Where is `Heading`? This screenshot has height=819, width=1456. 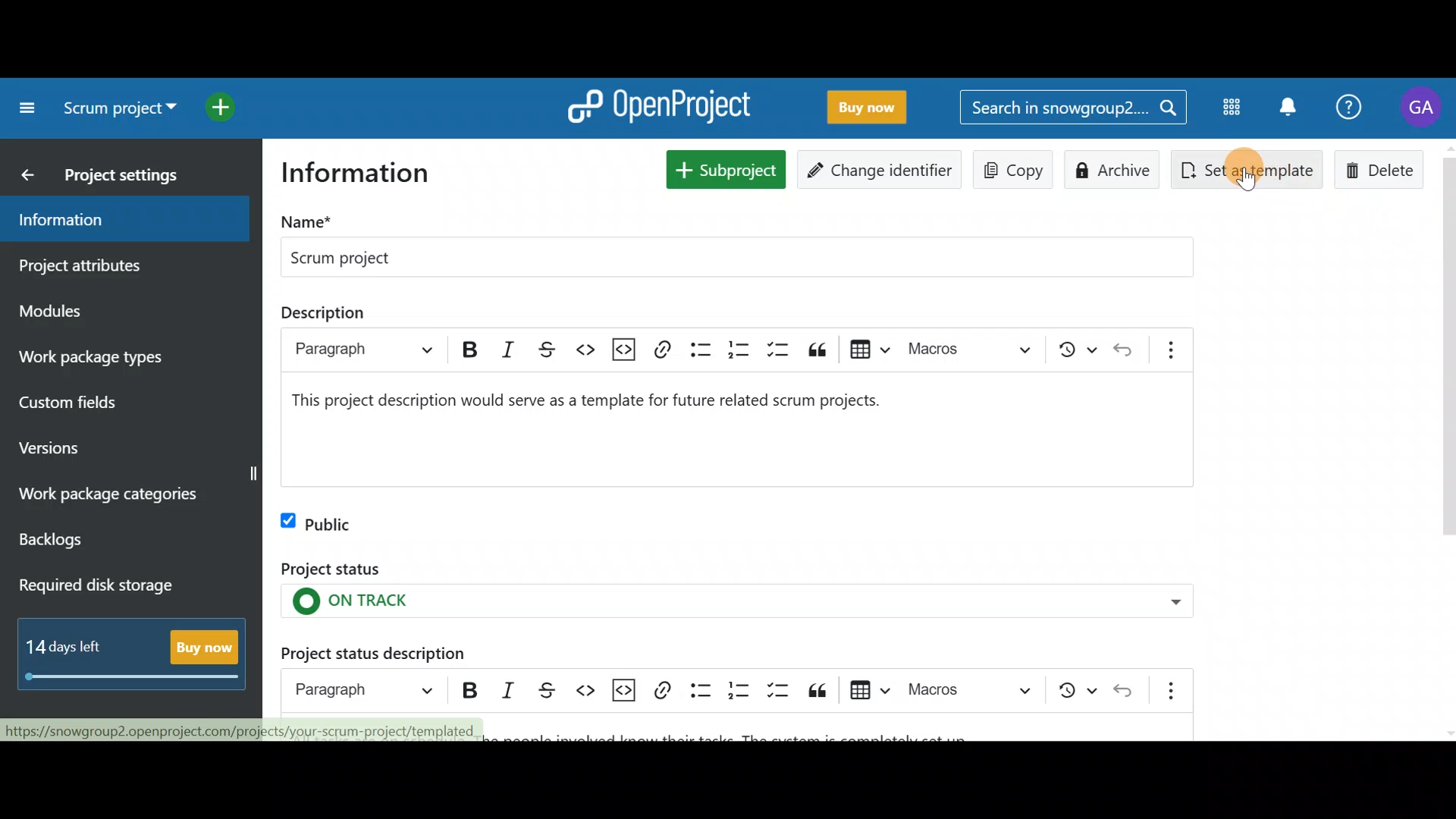 Heading is located at coordinates (363, 691).